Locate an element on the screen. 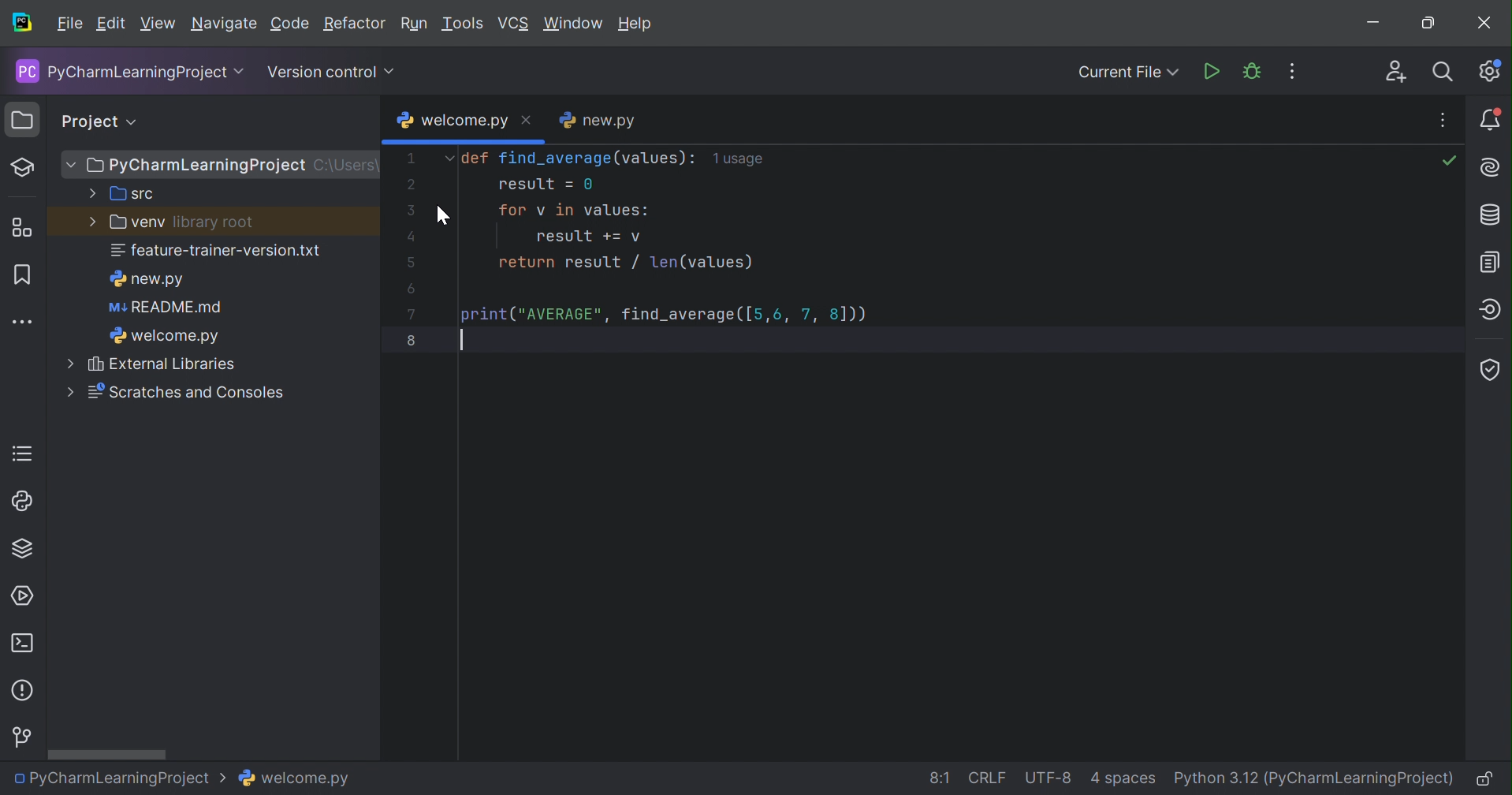  4 spaces is located at coordinates (1125, 778).